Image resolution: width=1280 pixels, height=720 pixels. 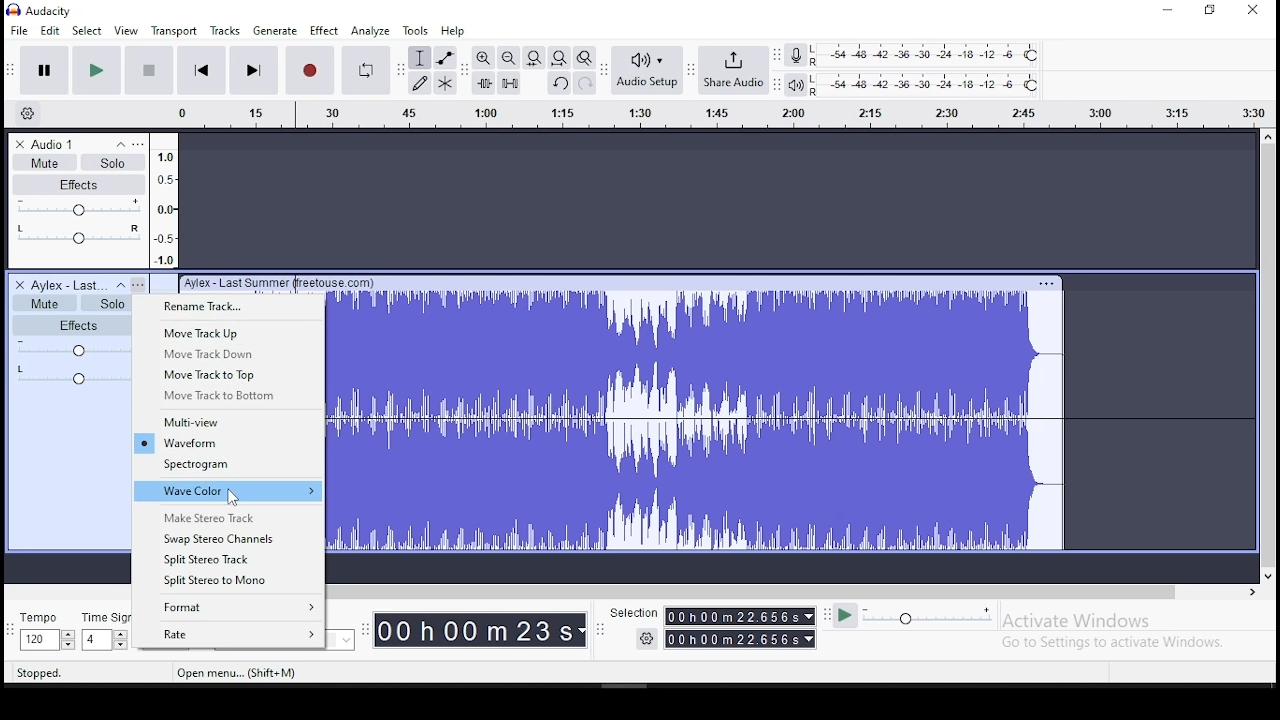 What do you see at coordinates (646, 69) in the screenshot?
I see `audio setup` at bounding box center [646, 69].